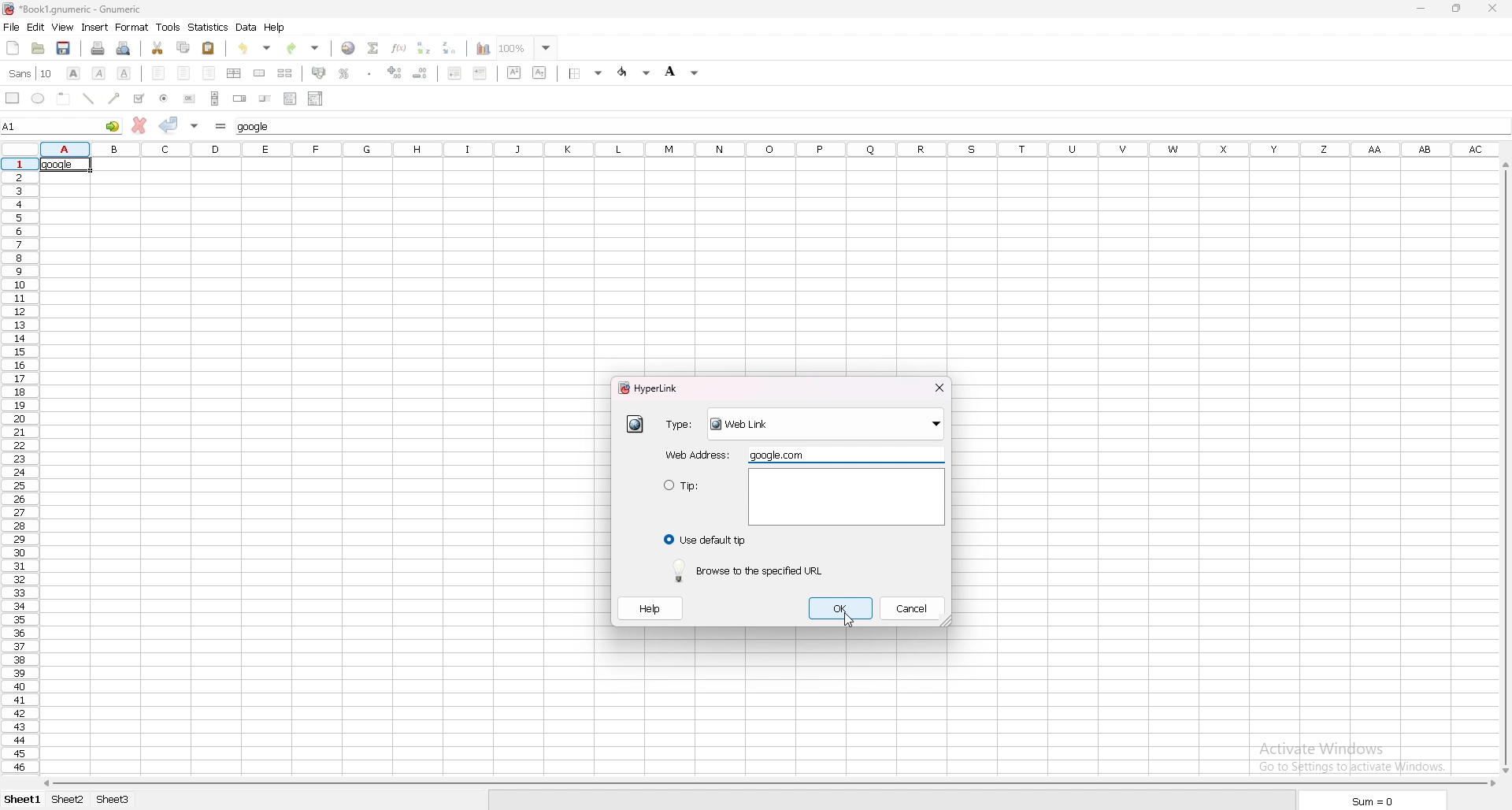  I want to click on curso, so click(1918, 444).